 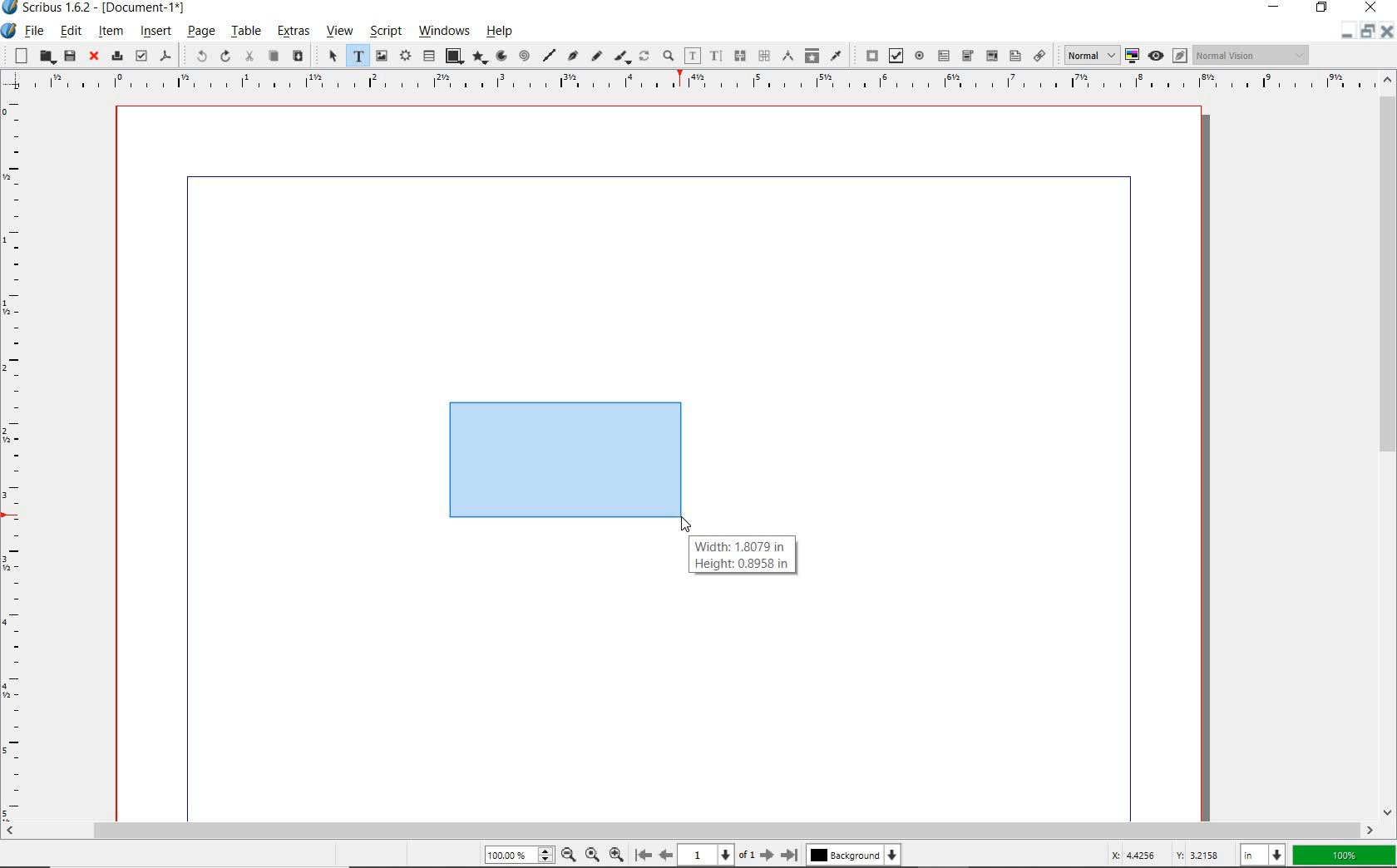 What do you see at coordinates (644, 856) in the screenshot?
I see `First Page` at bounding box center [644, 856].